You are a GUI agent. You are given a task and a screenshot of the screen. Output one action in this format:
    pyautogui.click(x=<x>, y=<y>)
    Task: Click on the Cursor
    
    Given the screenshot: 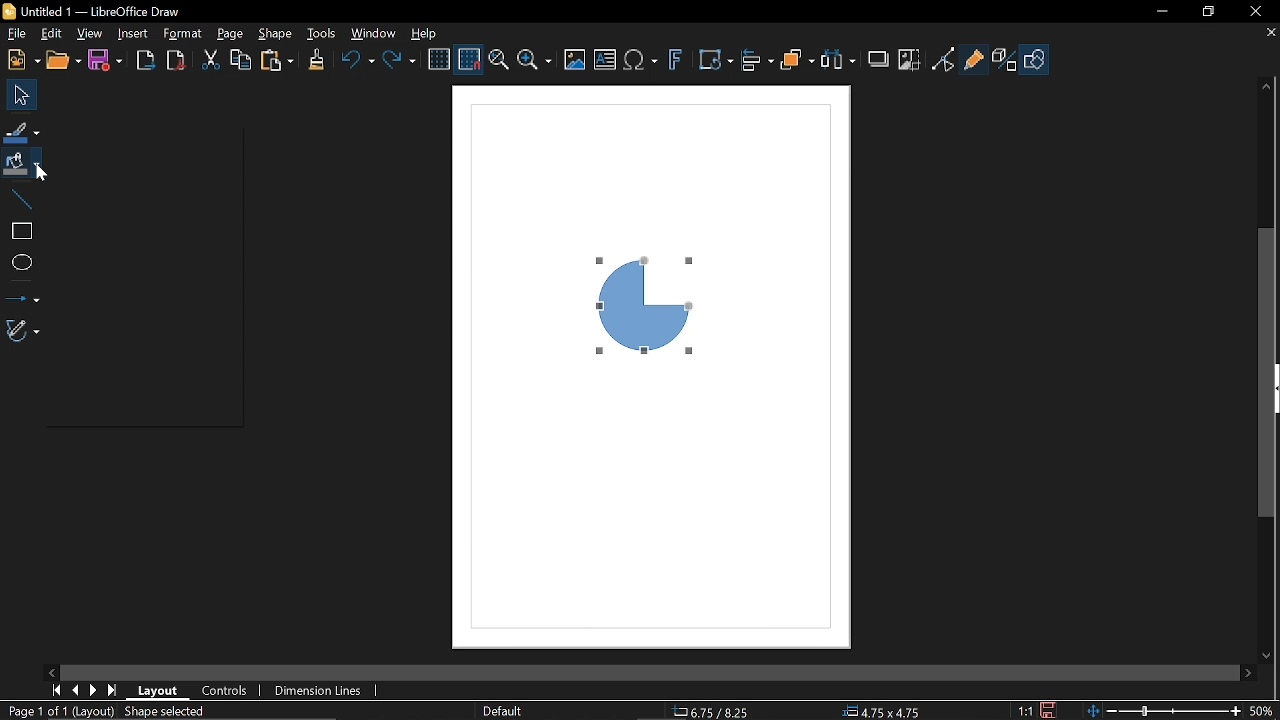 What is the action you would take?
    pyautogui.click(x=42, y=169)
    